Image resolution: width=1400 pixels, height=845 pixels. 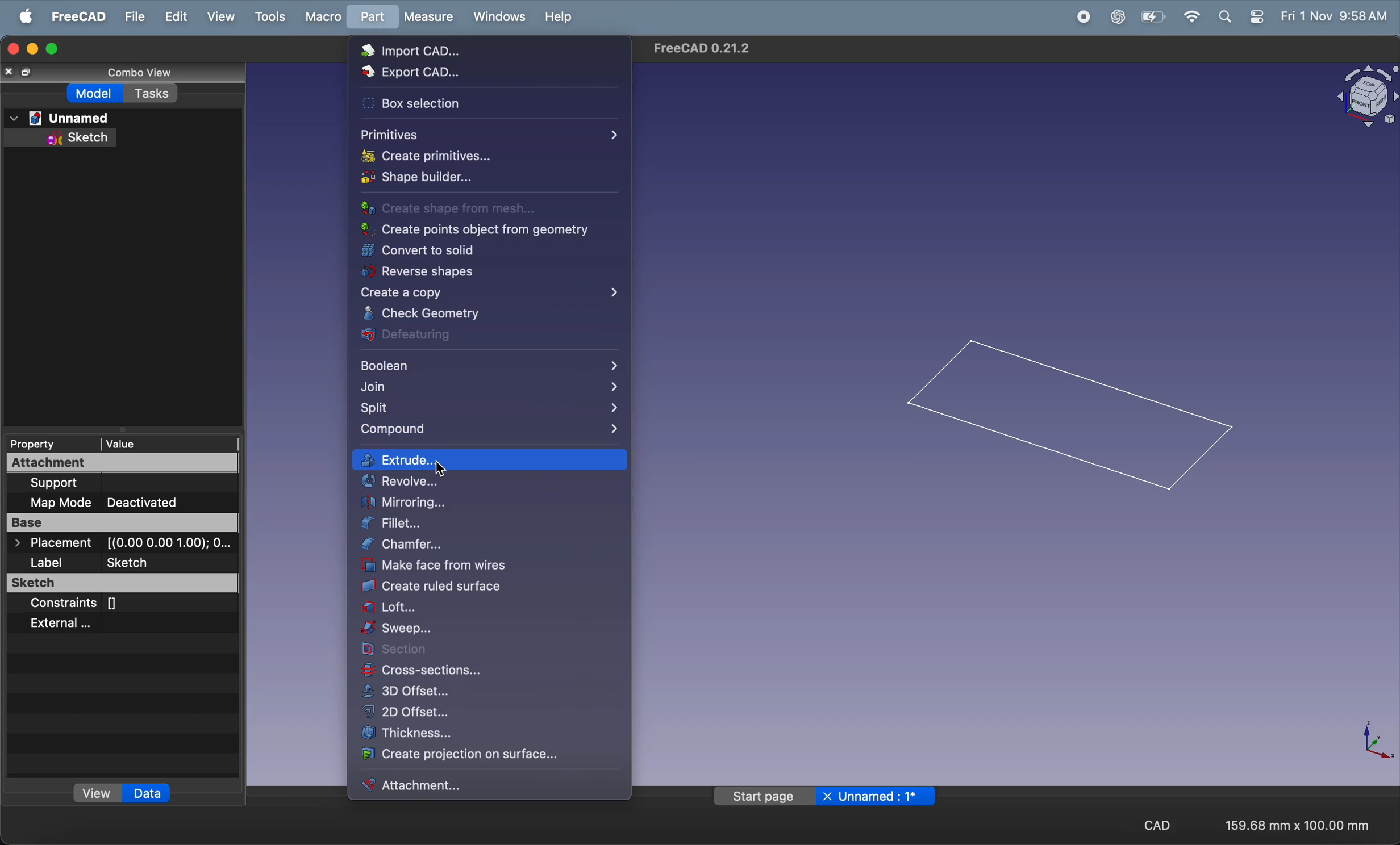 What do you see at coordinates (447, 49) in the screenshot?
I see `import cad` at bounding box center [447, 49].